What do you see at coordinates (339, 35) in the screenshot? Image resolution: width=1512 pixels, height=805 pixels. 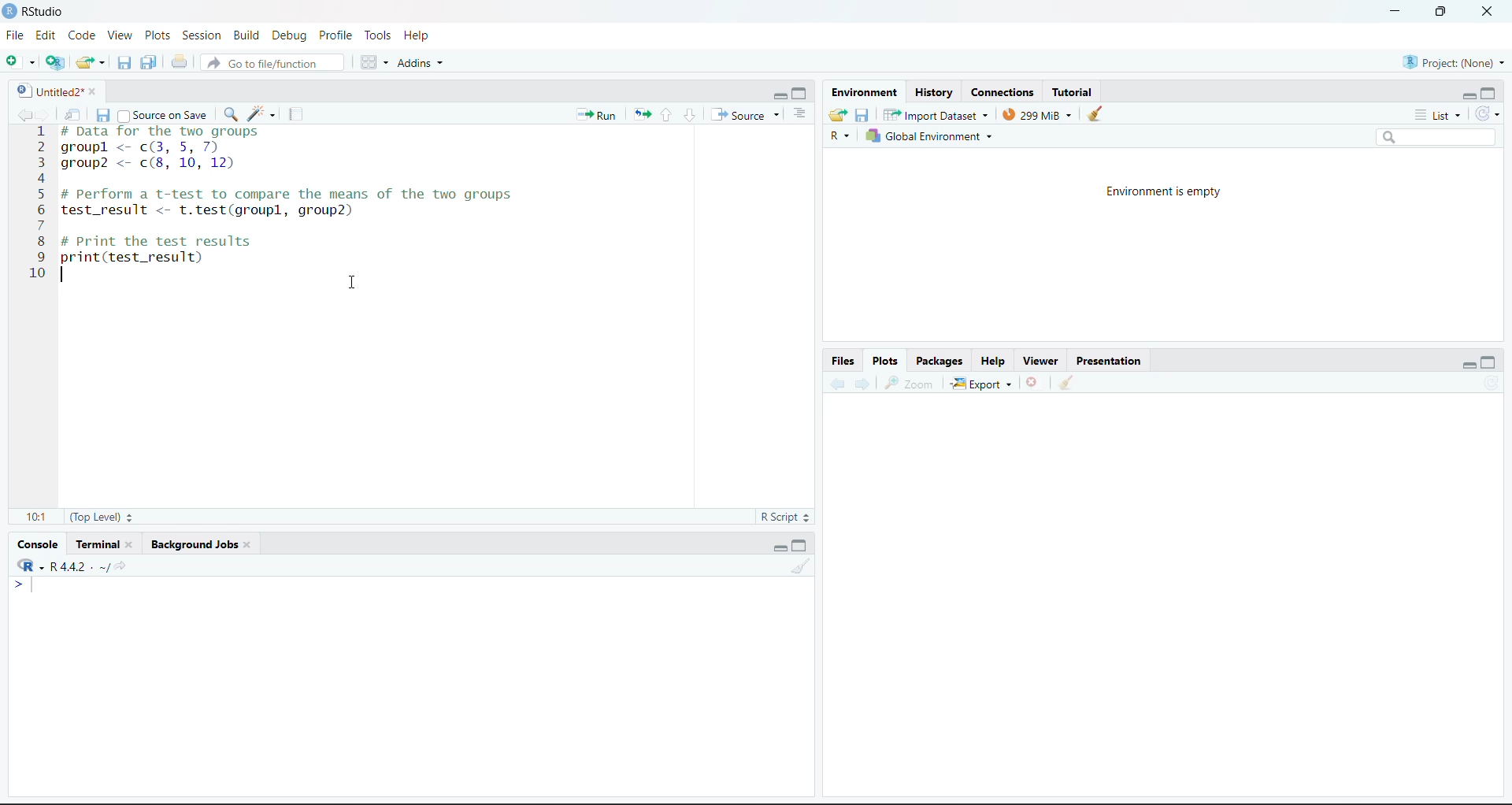 I see `Profile` at bounding box center [339, 35].